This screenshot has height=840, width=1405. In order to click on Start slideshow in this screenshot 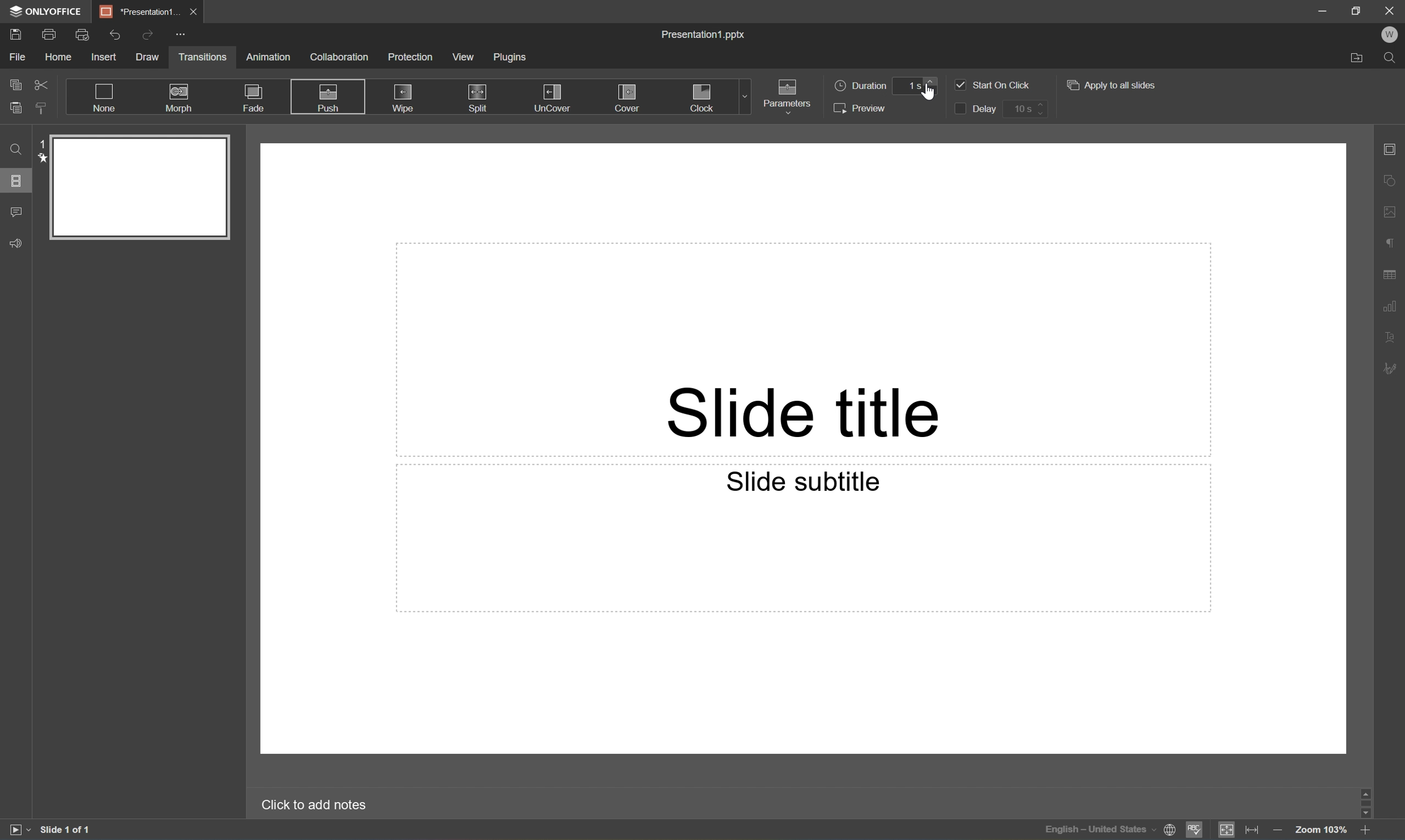, I will do `click(20, 829)`.